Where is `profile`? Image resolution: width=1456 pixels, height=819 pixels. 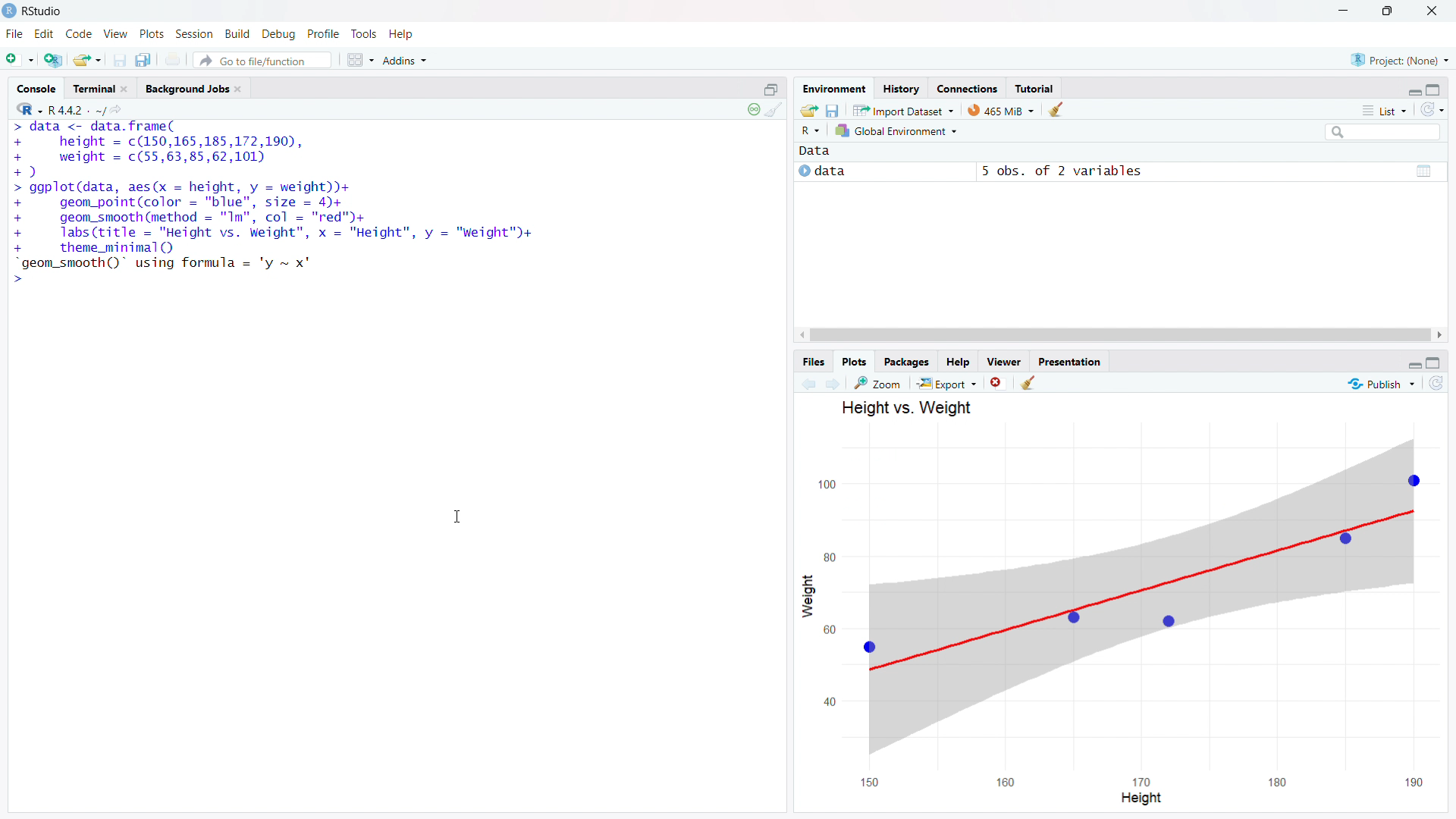 profile is located at coordinates (324, 34).